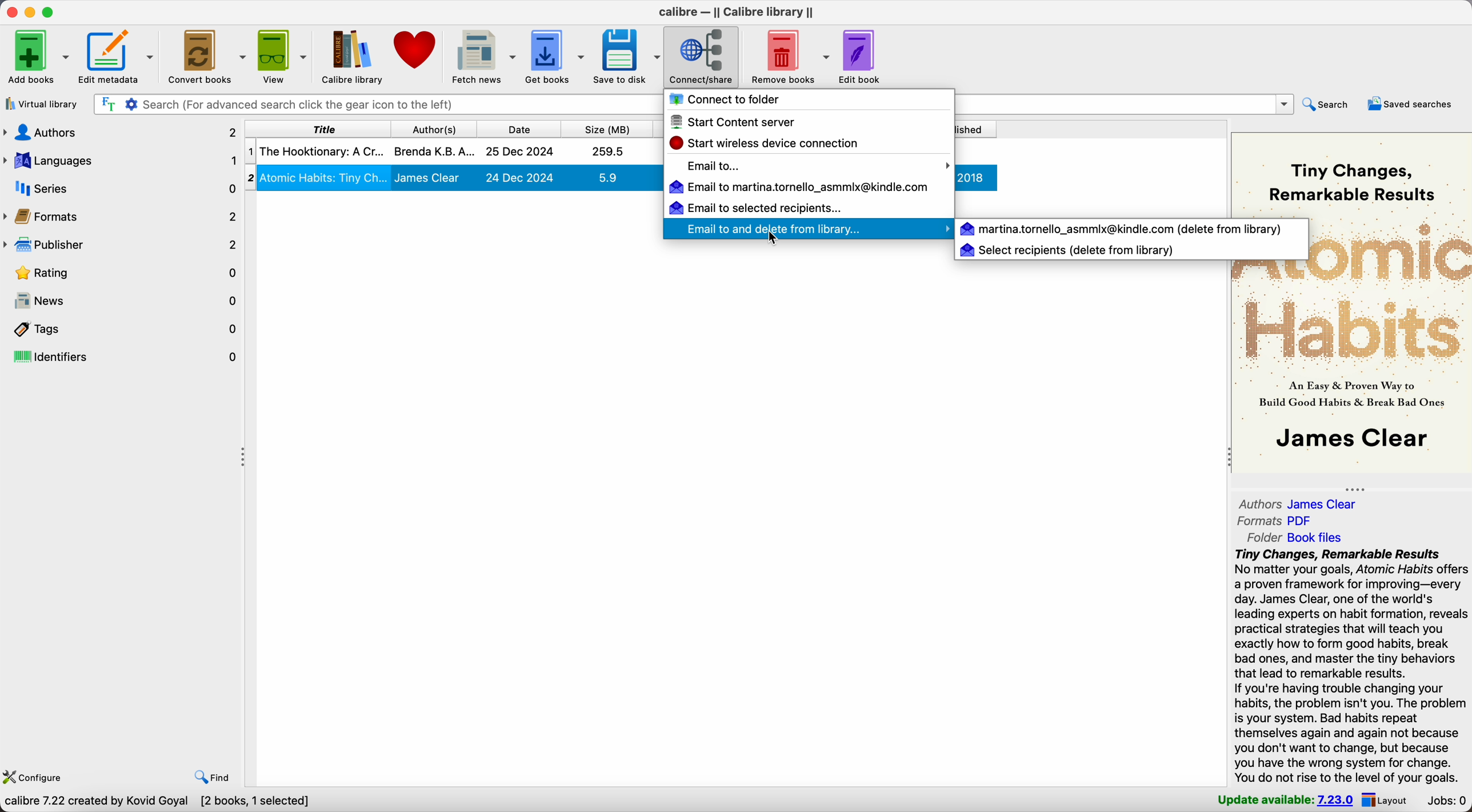  What do you see at coordinates (321, 151) in the screenshot?
I see `The Hookitonary: A Cr` at bounding box center [321, 151].